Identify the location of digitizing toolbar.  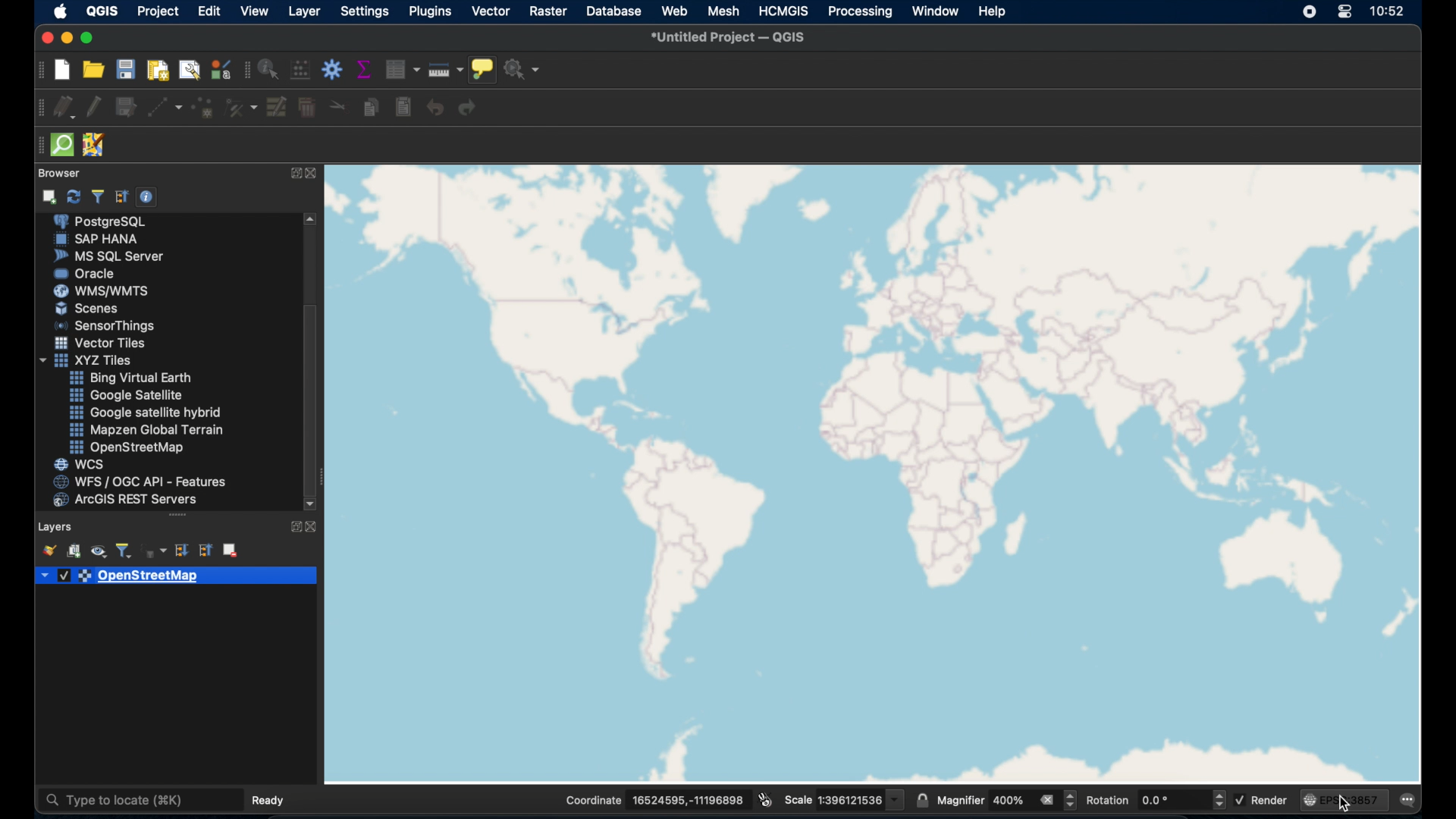
(36, 108).